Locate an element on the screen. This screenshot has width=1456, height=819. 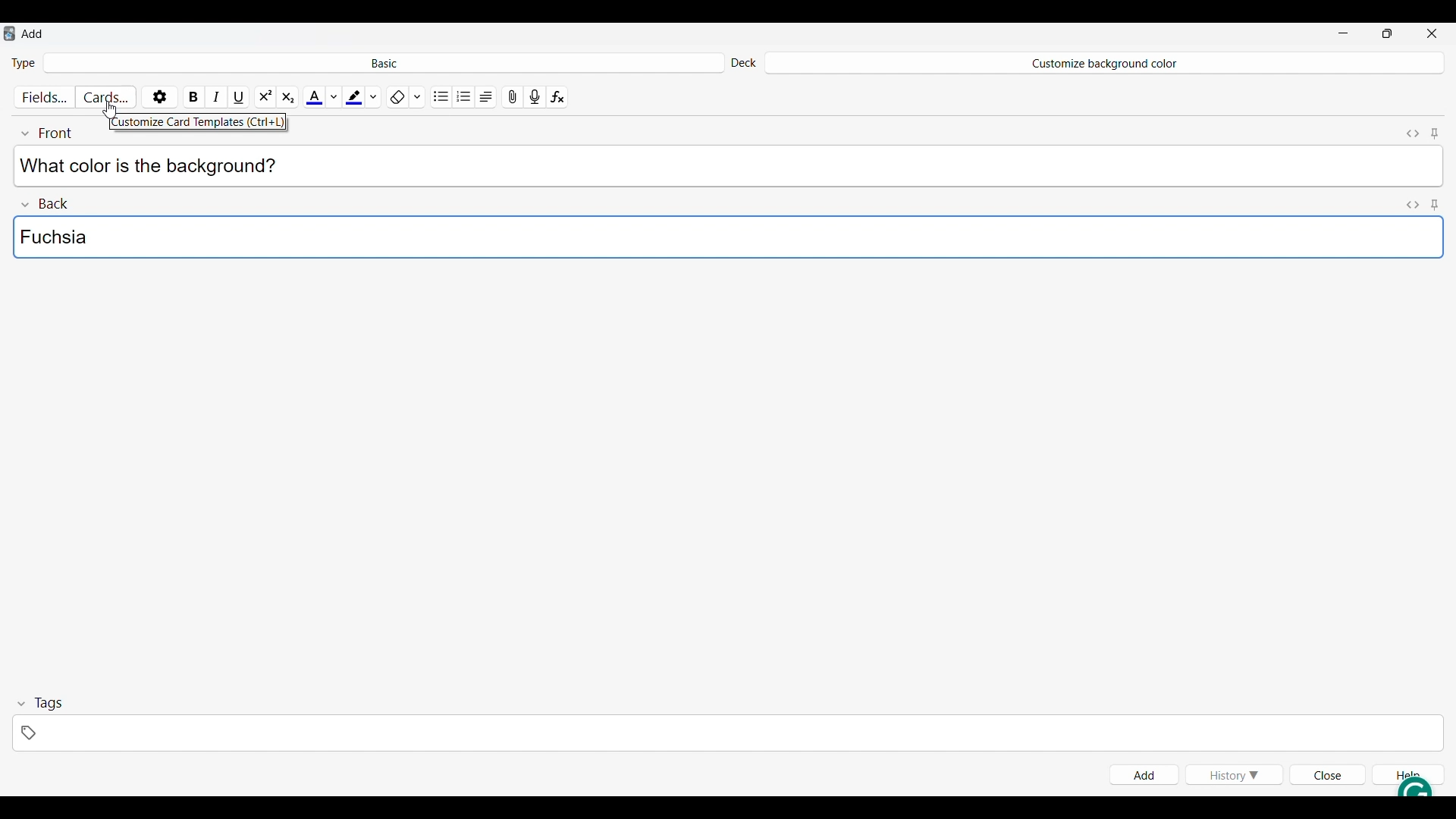
Collapse tags is located at coordinates (40, 704).